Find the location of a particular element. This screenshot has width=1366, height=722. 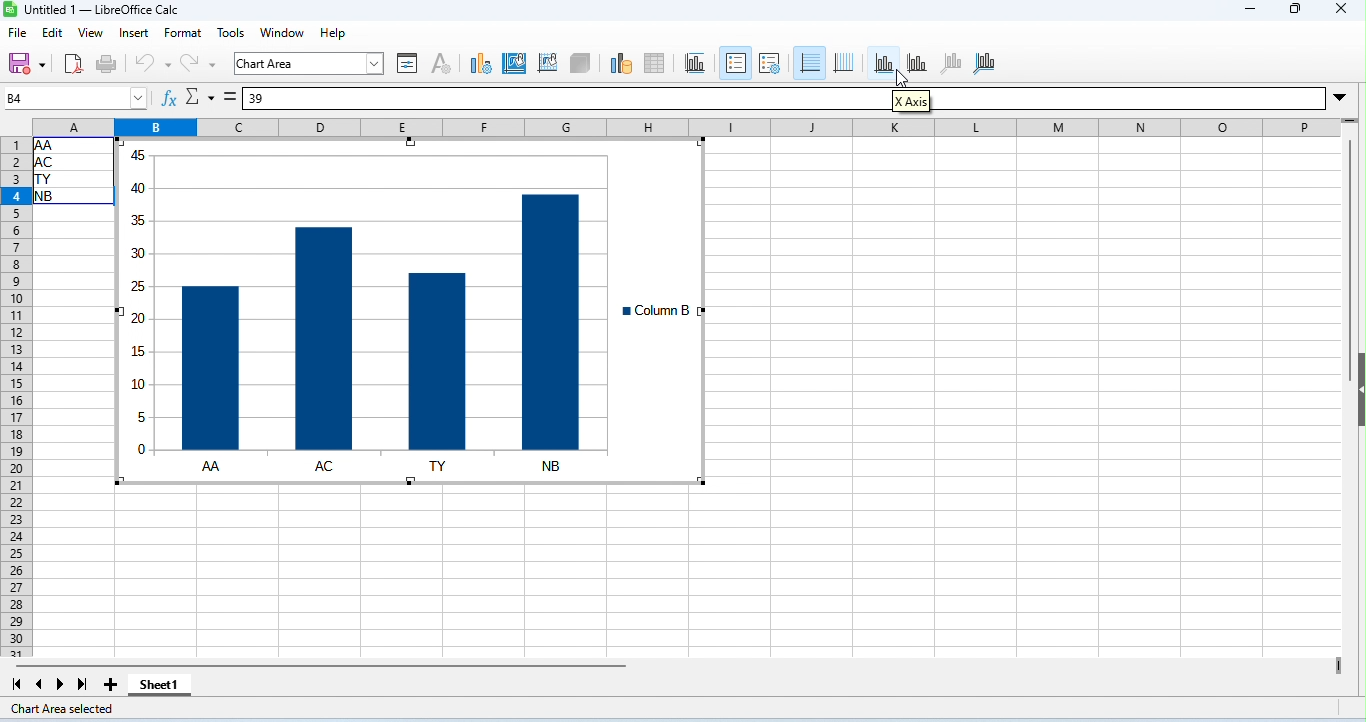

insert is located at coordinates (135, 34).